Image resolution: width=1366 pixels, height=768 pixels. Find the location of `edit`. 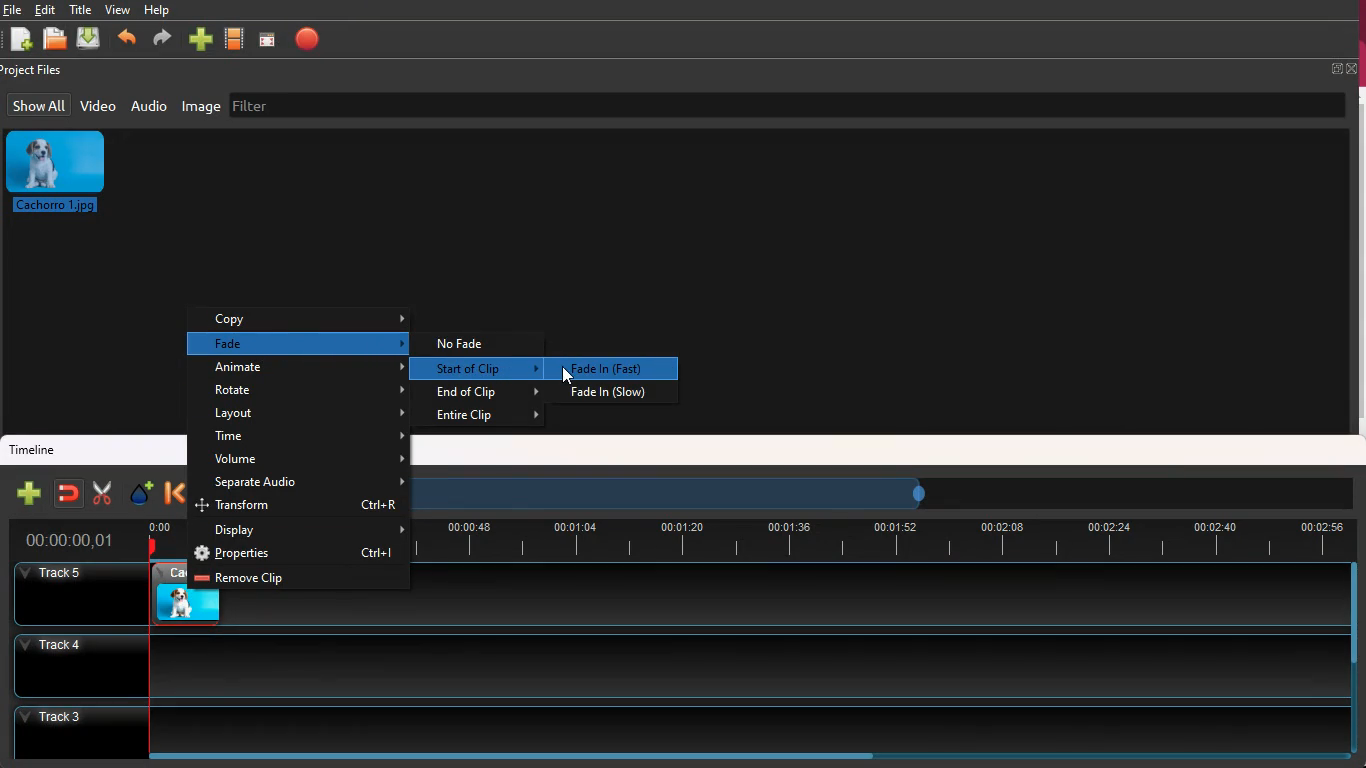

edit is located at coordinates (47, 10).